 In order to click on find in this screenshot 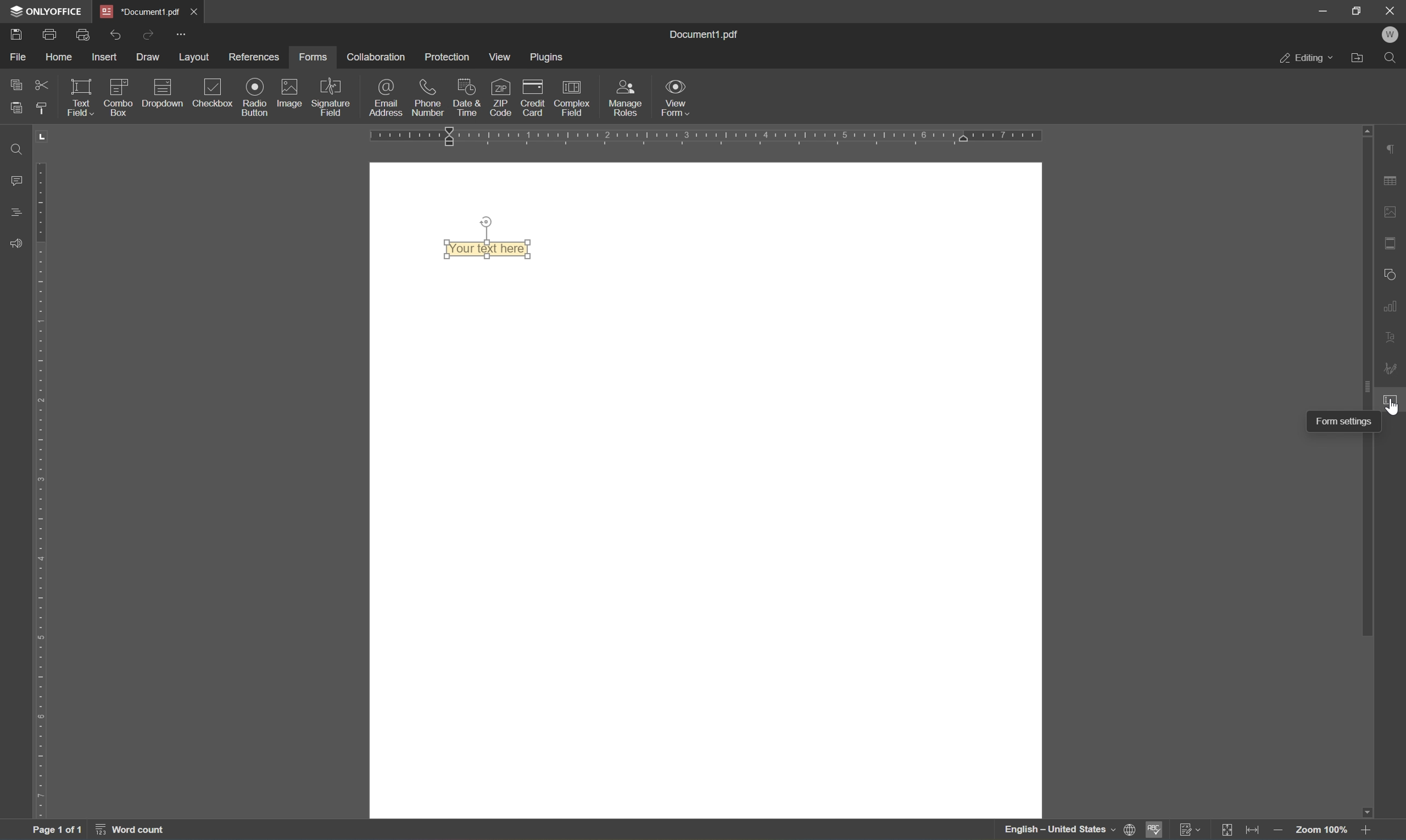, I will do `click(20, 148)`.